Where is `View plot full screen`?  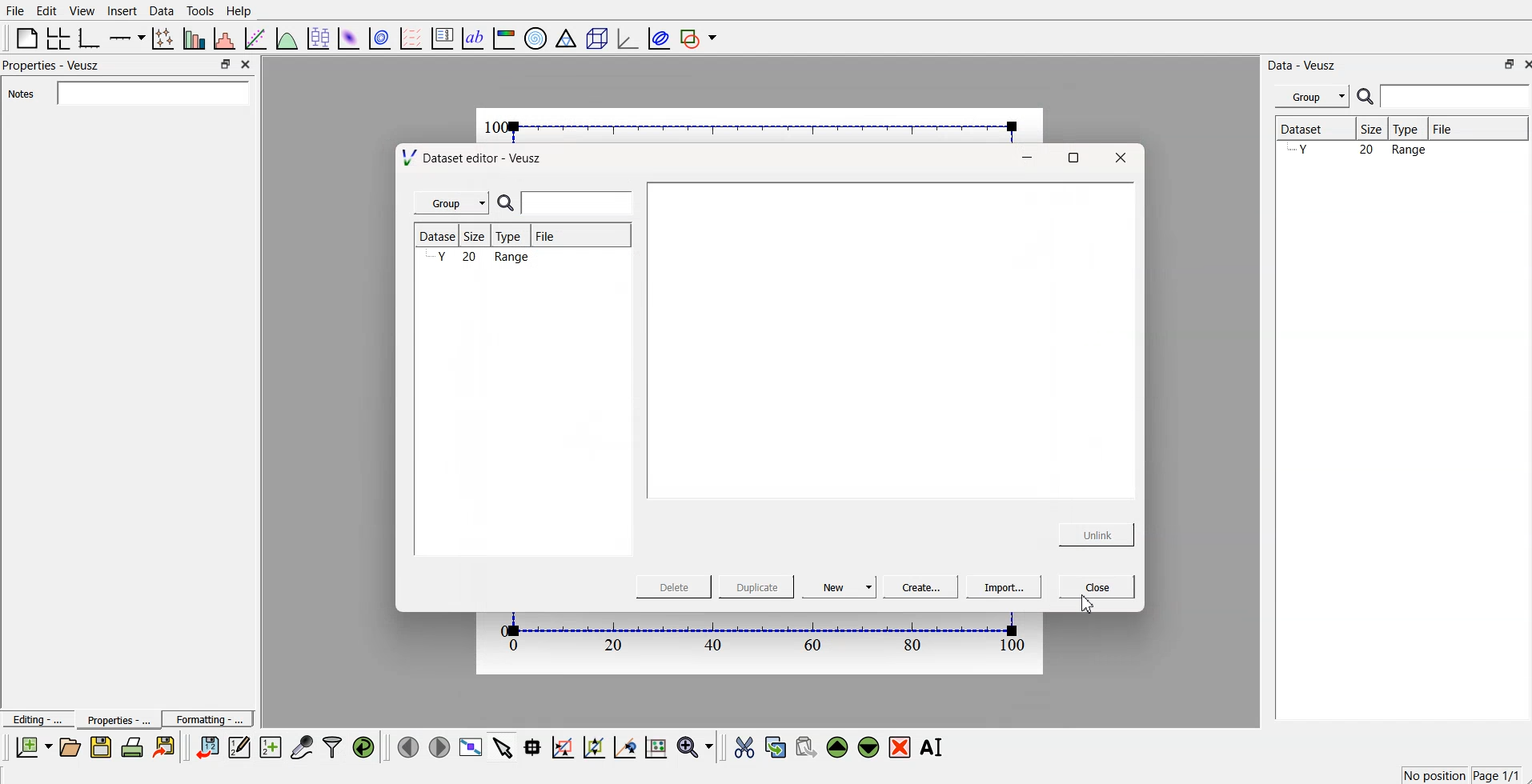
View plot full screen is located at coordinates (471, 746).